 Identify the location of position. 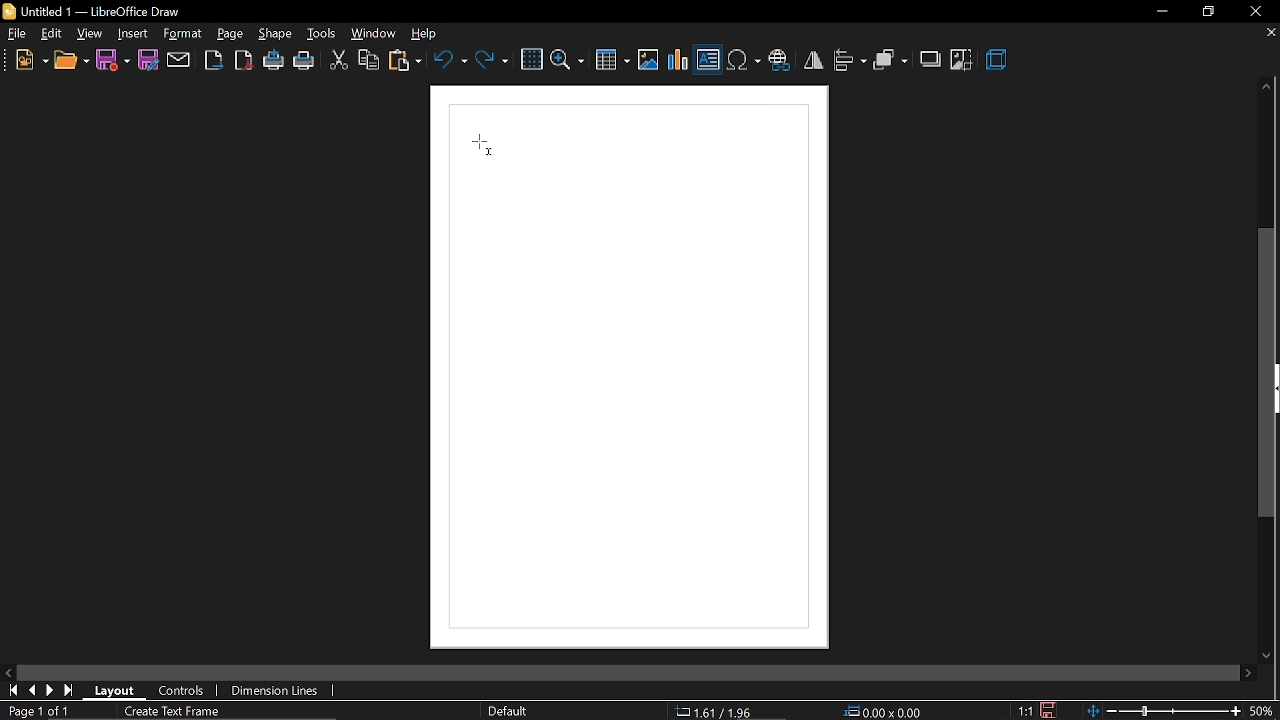
(885, 712).